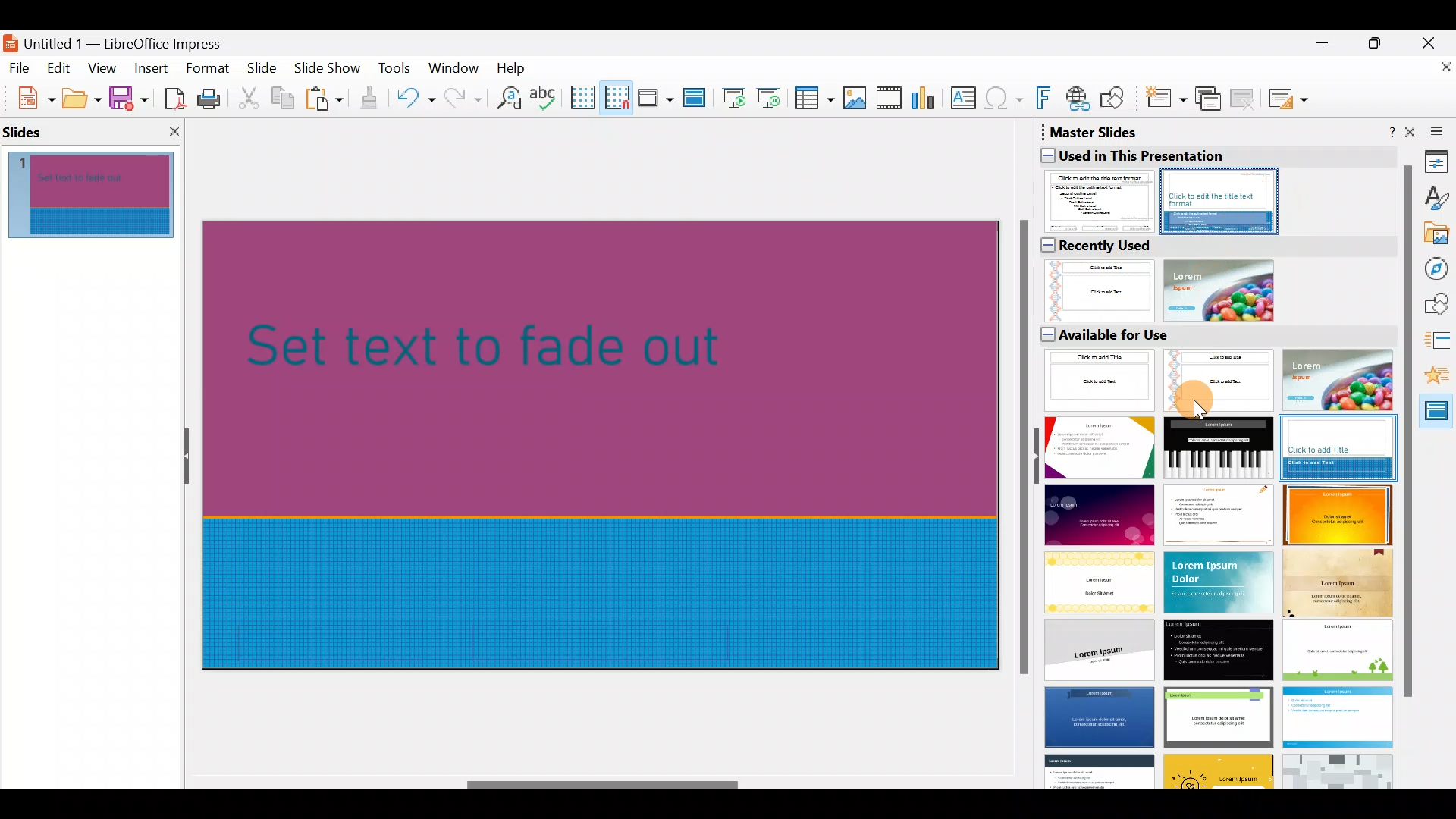 The width and height of the screenshot is (1456, 819). What do you see at coordinates (890, 101) in the screenshot?
I see `Insert audio or video` at bounding box center [890, 101].